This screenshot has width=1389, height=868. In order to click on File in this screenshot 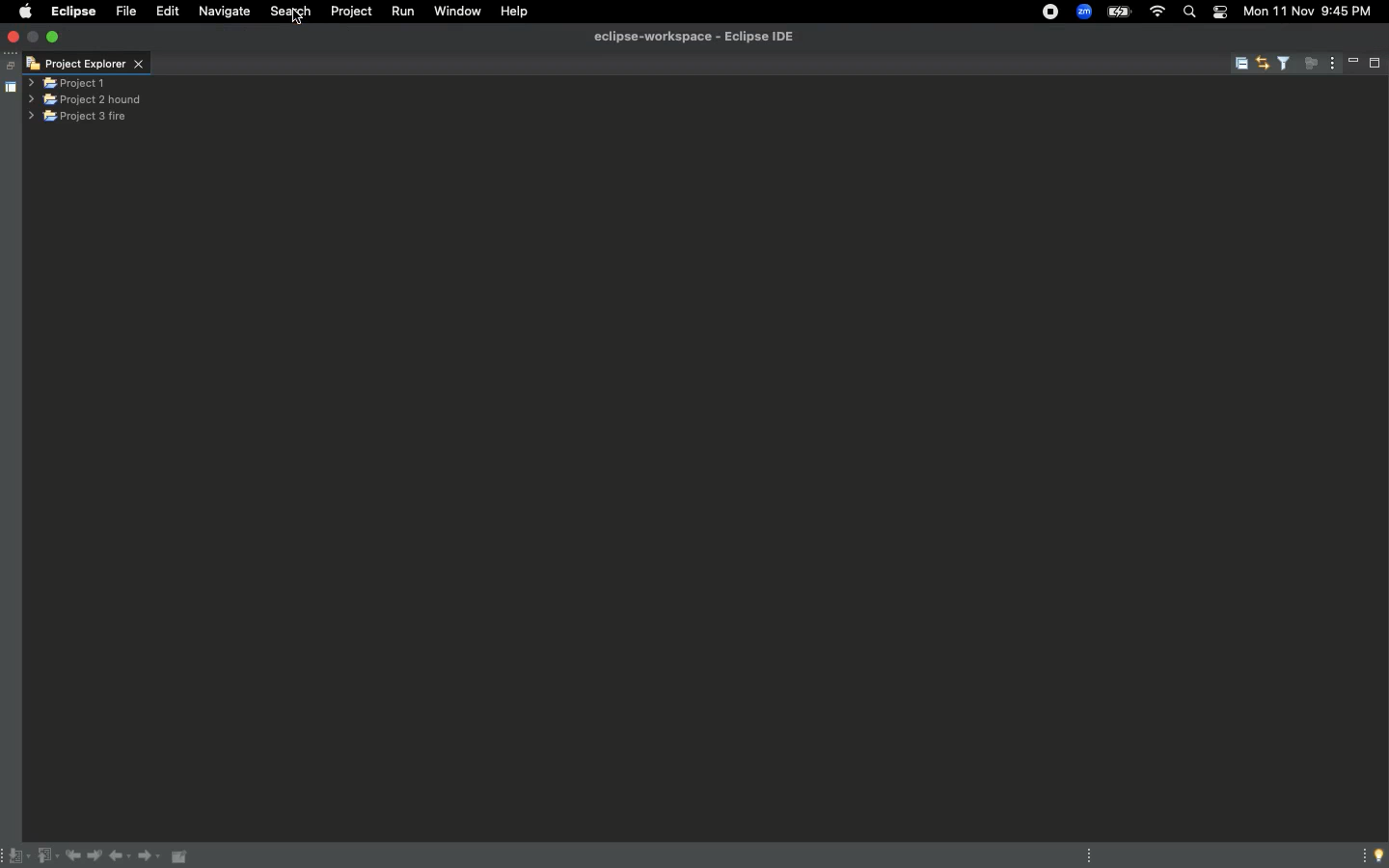, I will do `click(128, 12)`.